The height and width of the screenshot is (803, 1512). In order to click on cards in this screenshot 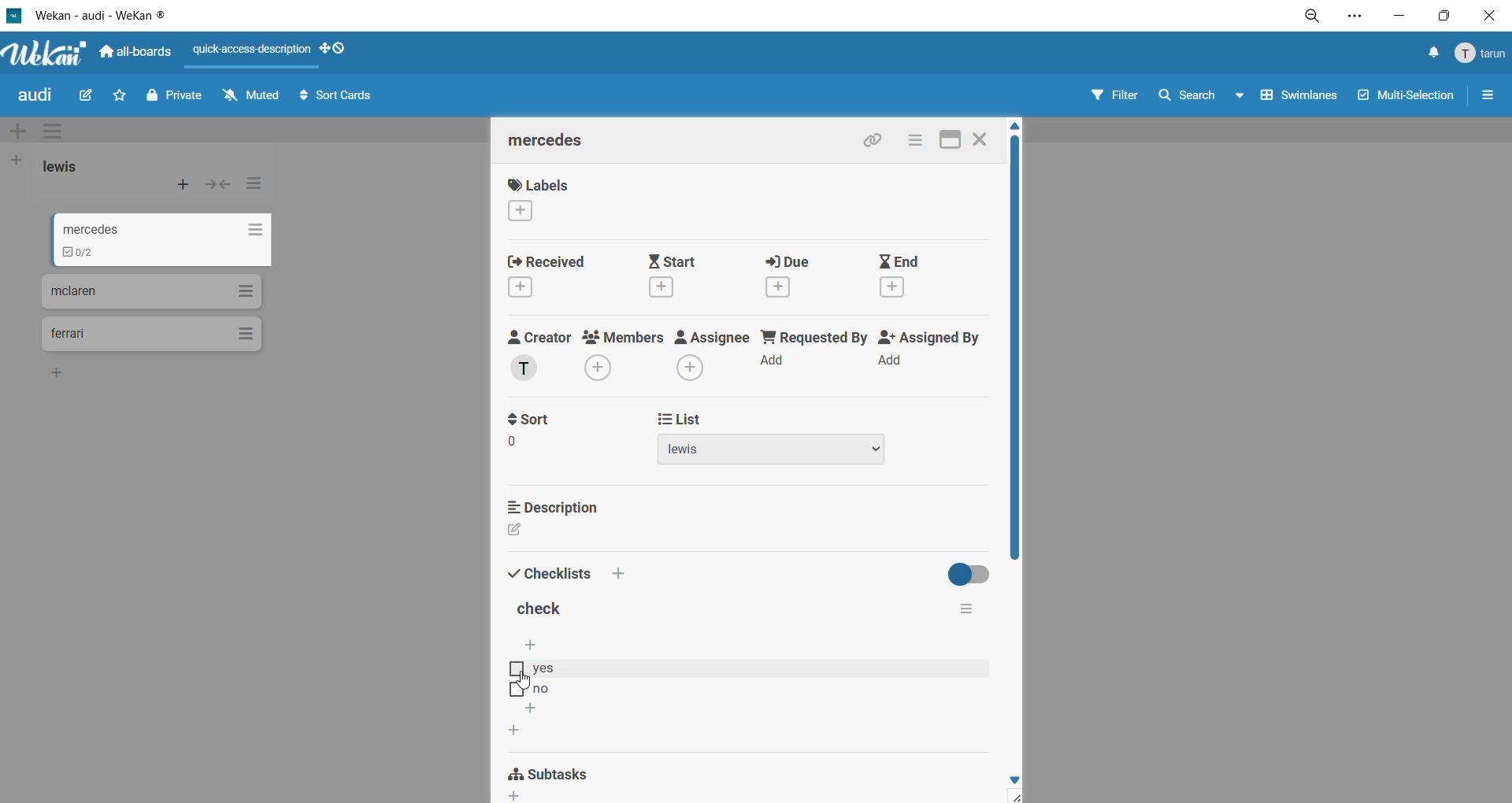, I will do `click(150, 335)`.